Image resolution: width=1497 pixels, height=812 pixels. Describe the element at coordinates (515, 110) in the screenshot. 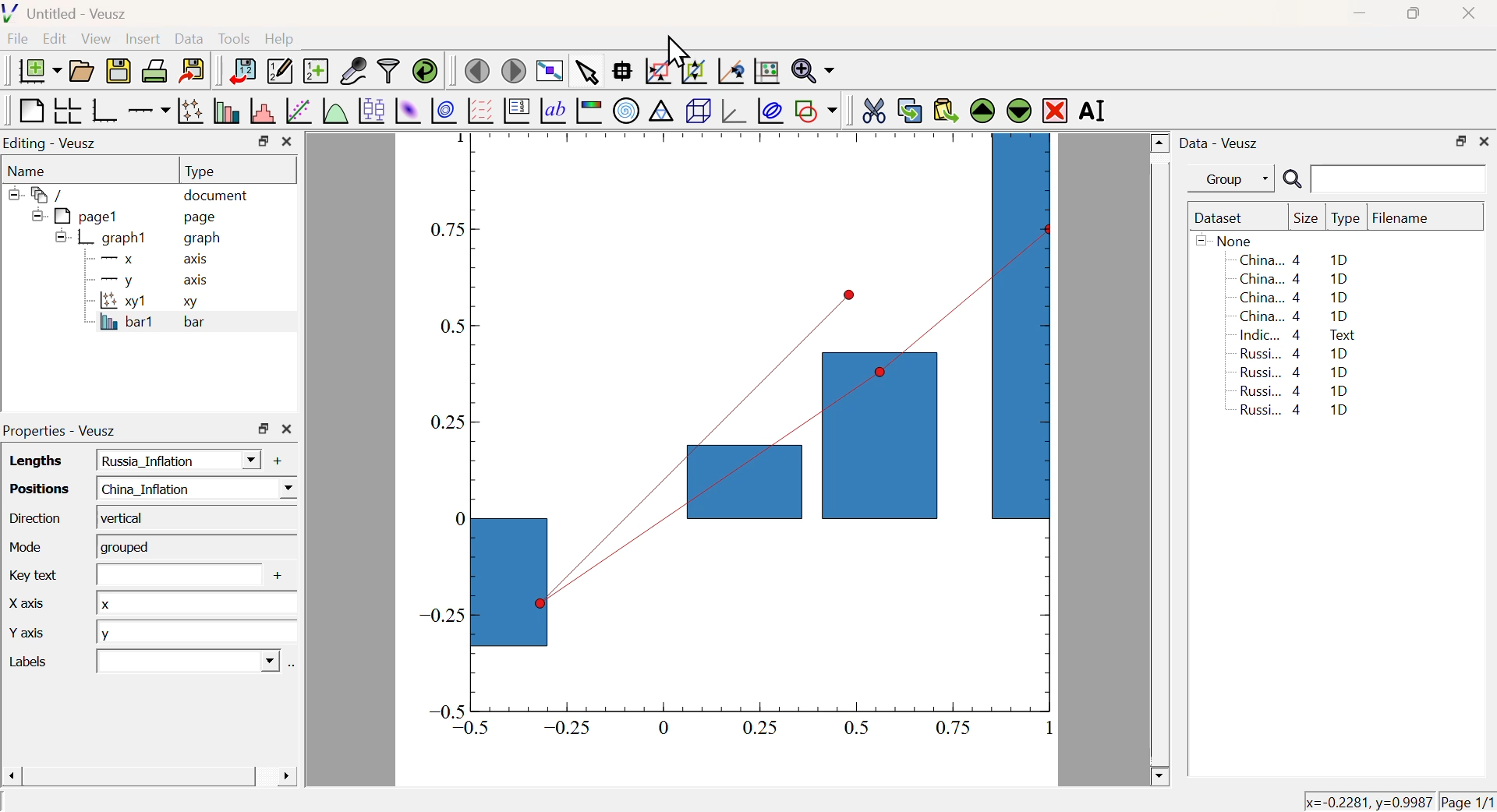

I see `Plot Key` at that location.